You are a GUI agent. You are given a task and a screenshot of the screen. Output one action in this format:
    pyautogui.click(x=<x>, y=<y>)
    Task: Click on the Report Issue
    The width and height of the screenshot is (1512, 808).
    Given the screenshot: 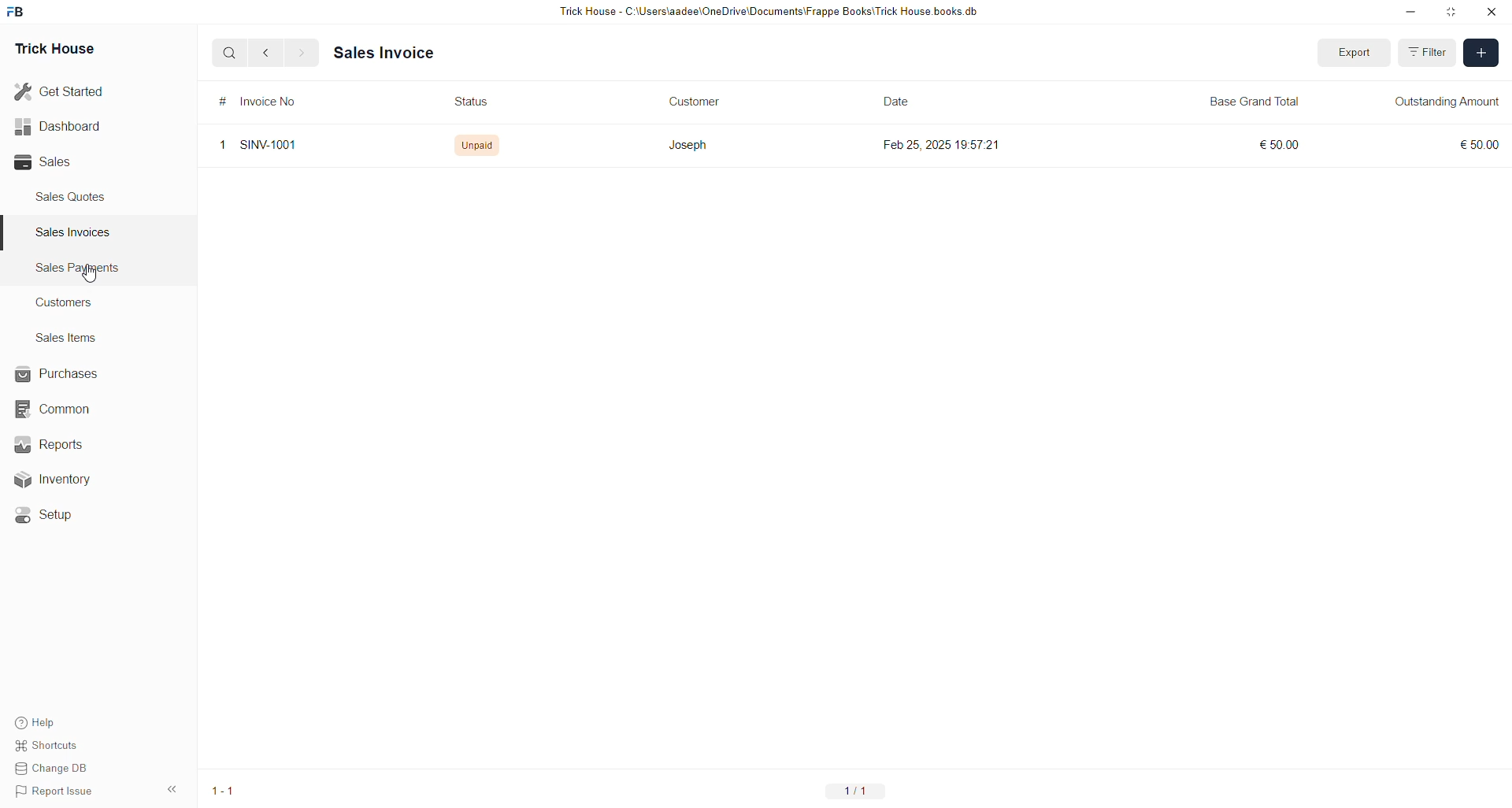 What is the action you would take?
    pyautogui.click(x=57, y=791)
    